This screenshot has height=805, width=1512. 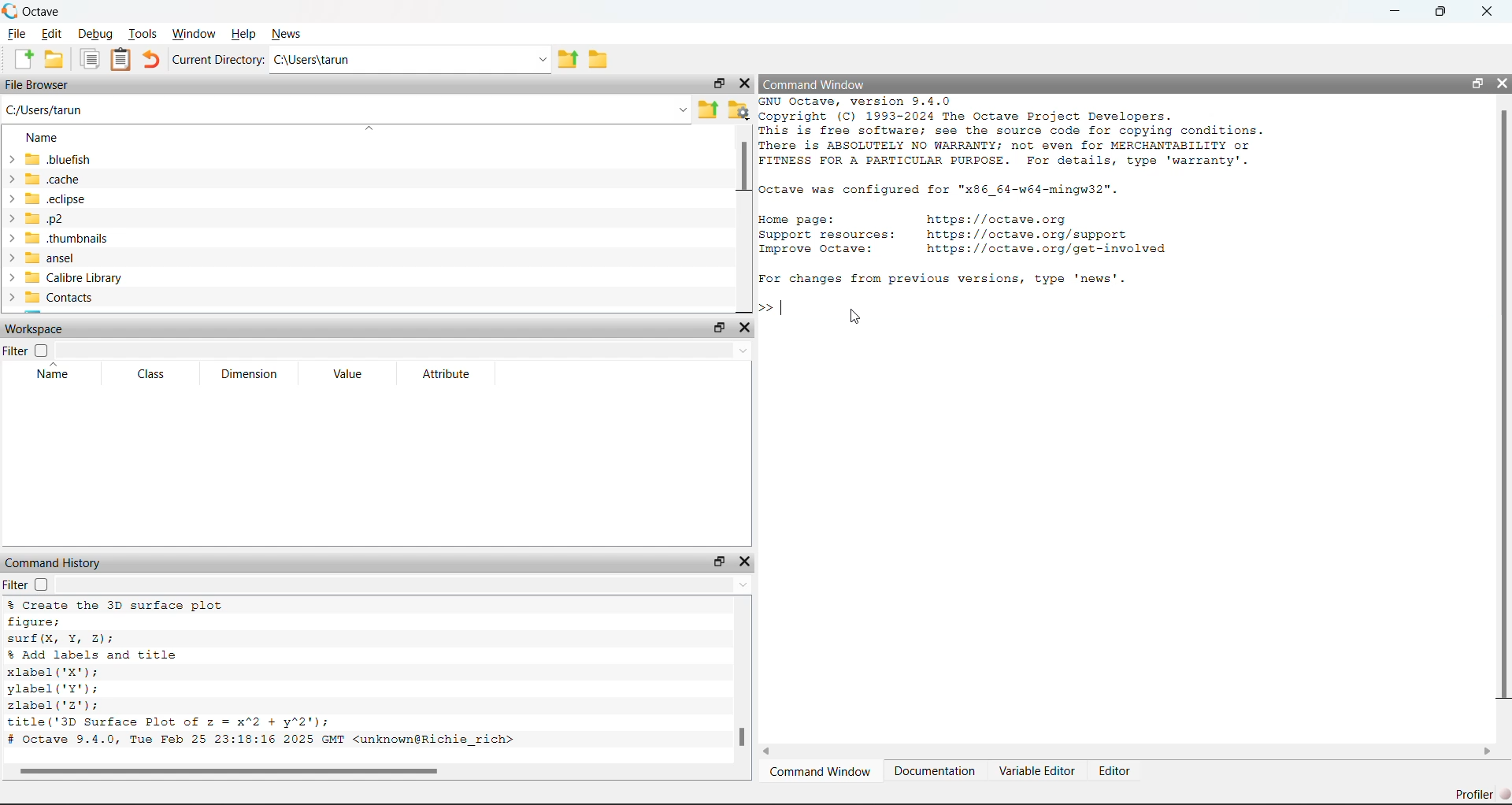 What do you see at coordinates (63, 278) in the screenshot?
I see `Calibre Library` at bounding box center [63, 278].